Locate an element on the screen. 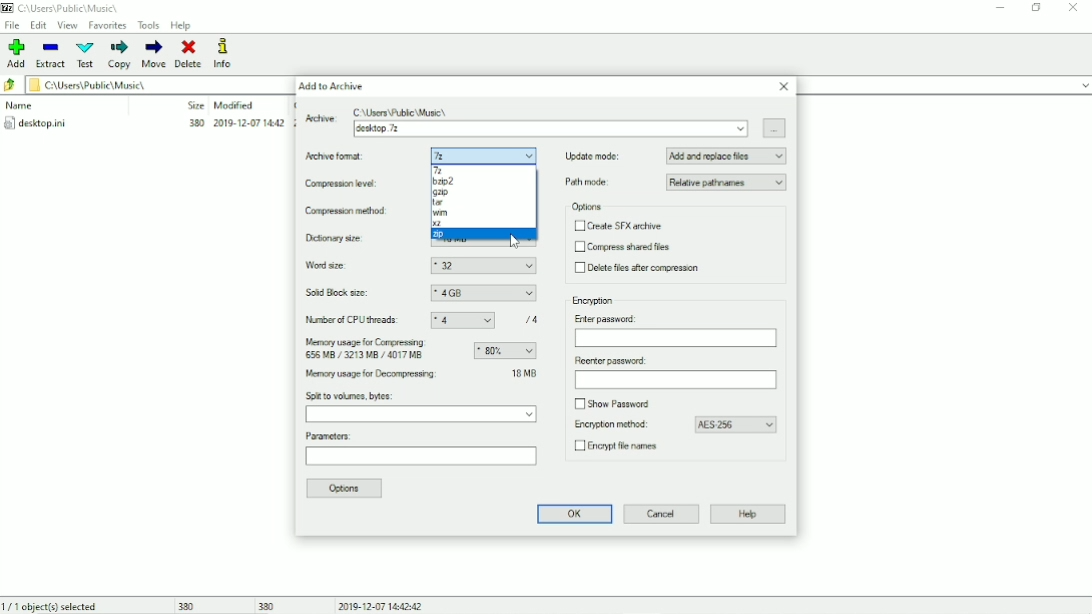 The height and width of the screenshot is (614, 1092). Edit is located at coordinates (39, 25).